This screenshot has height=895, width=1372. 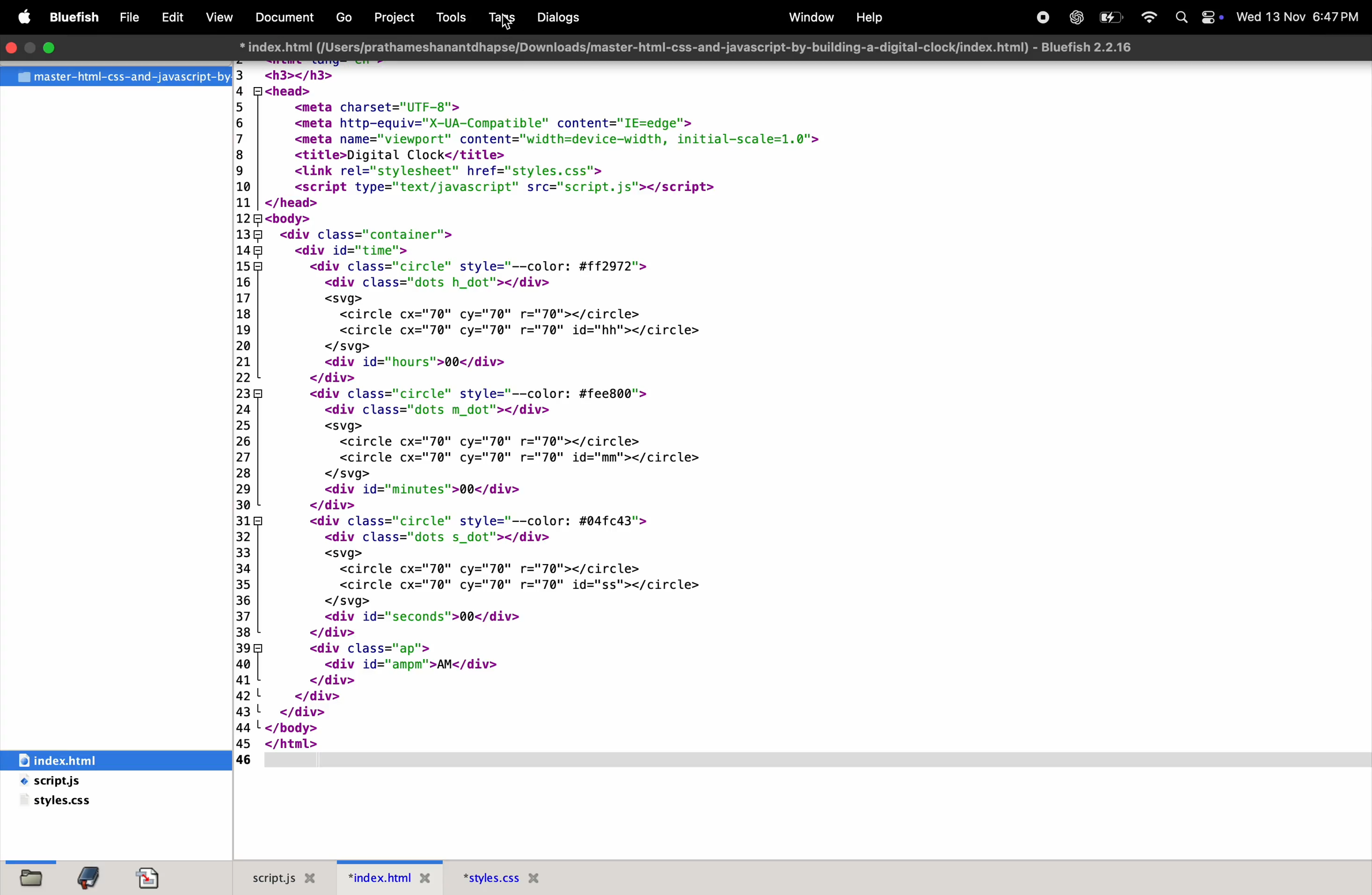 I want to click on Minimize, so click(x=31, y=48).